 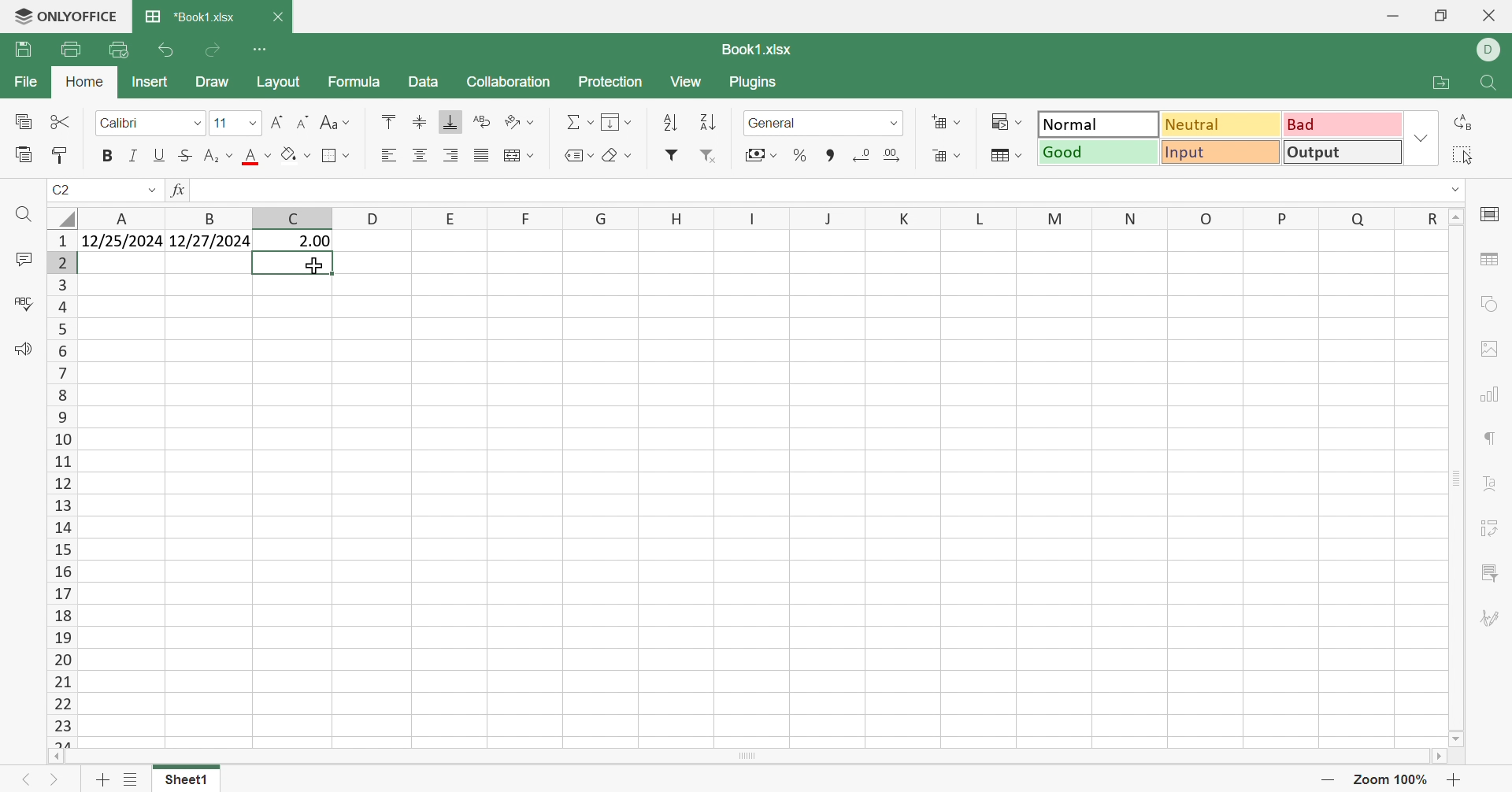 I want to click on Summation, so click(x=578, y=120).